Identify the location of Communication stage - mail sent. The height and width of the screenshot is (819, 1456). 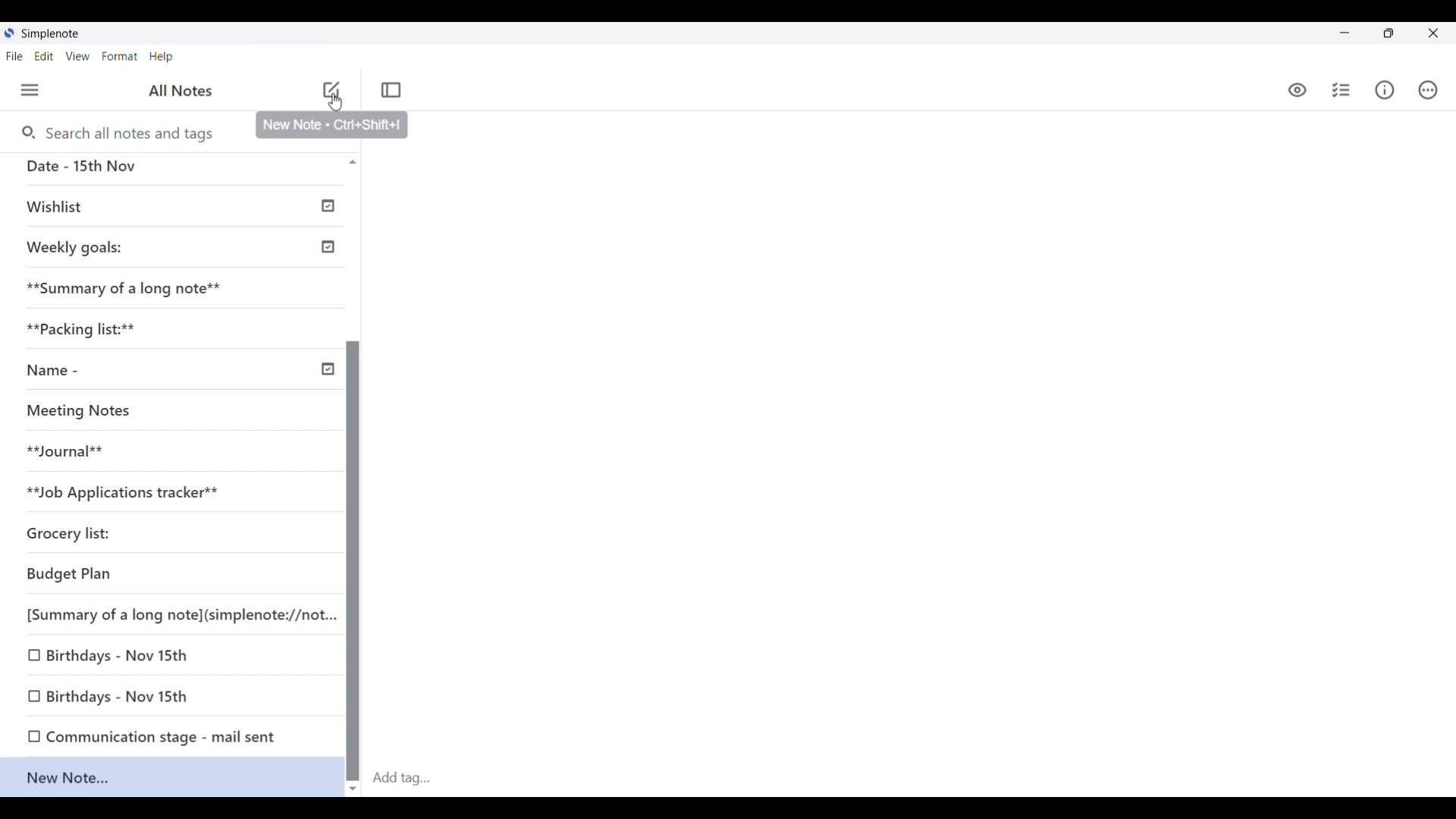
(167, 736).